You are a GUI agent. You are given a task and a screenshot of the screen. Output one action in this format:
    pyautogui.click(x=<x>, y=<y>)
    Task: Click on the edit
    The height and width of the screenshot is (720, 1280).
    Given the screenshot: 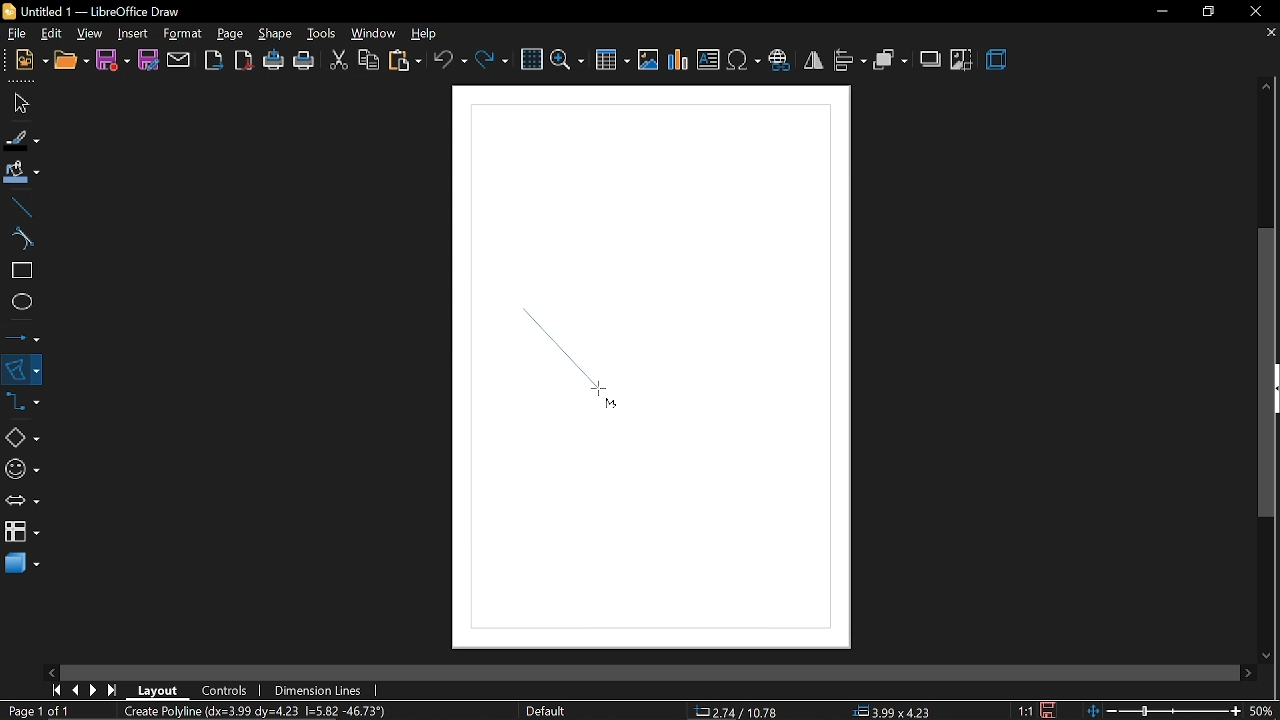 What is the action you would take?
    pyautogui.click(x=54, y=33)
    